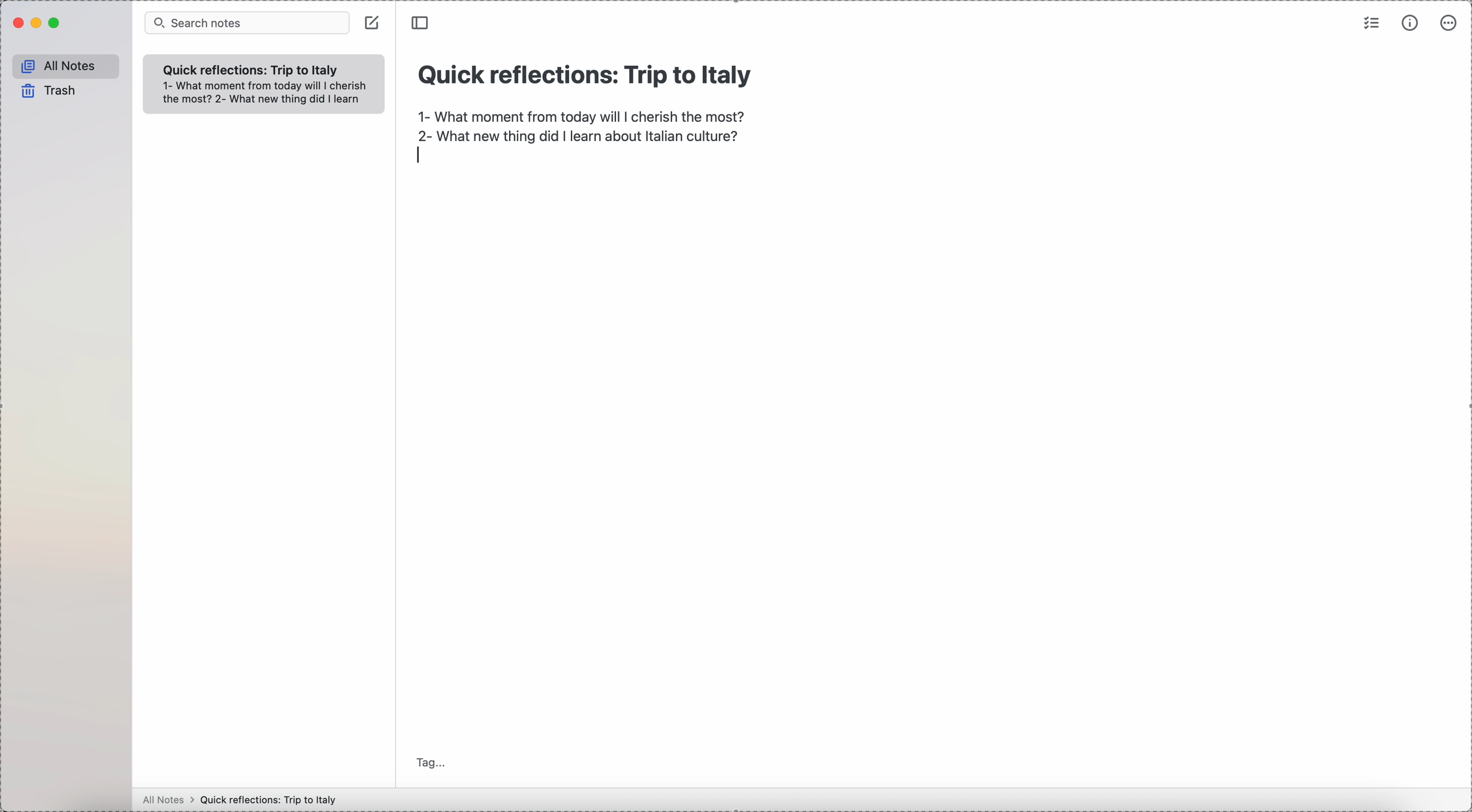 This screenshot has width=1472, height=812. I want to click on metrics, so click(1411, 22).